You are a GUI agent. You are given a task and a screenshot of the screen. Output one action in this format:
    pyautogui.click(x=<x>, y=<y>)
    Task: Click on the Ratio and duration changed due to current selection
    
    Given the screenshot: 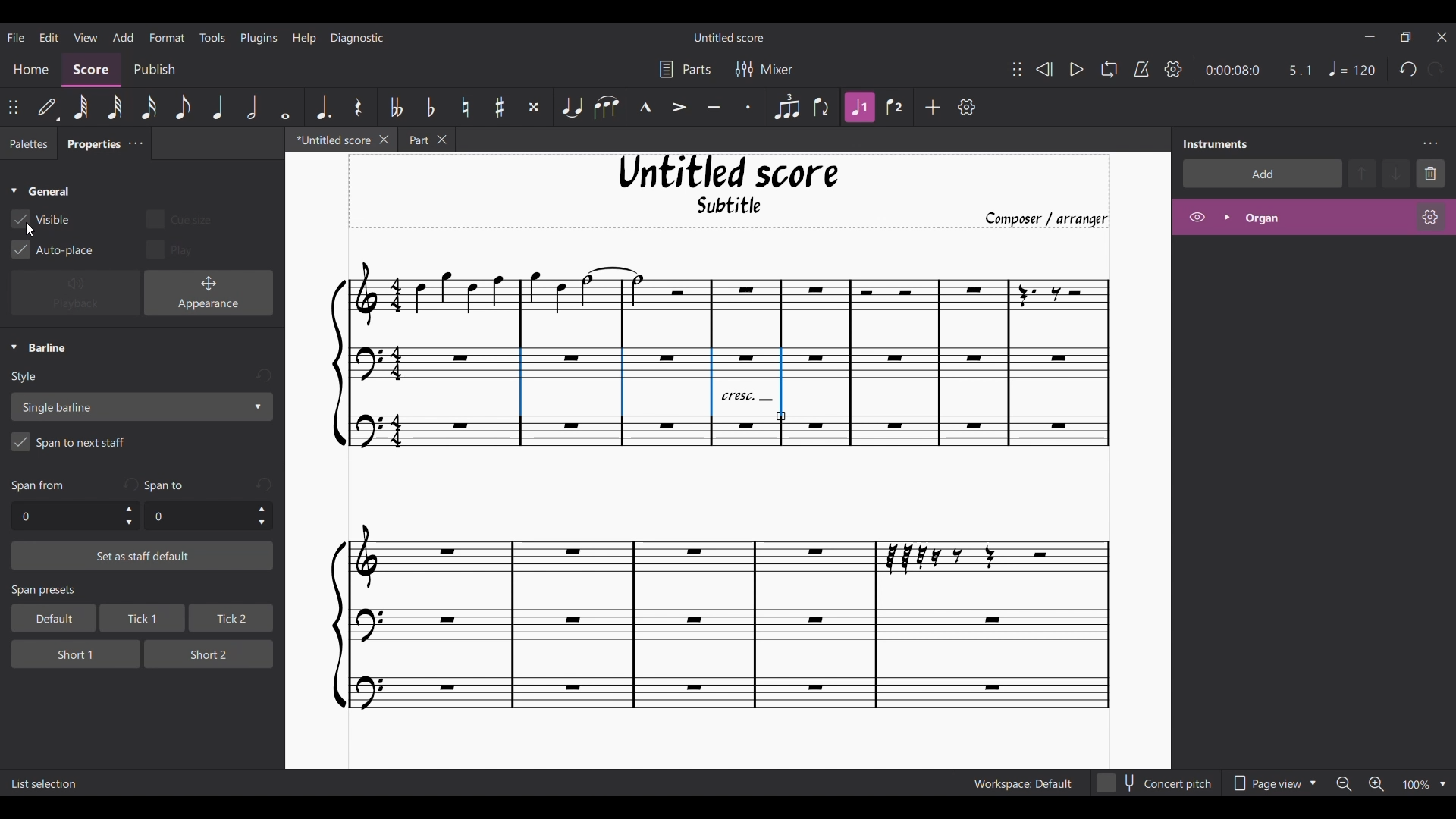 What is the action you would take?
    pyautogui.click(x=1259, y=70)
    